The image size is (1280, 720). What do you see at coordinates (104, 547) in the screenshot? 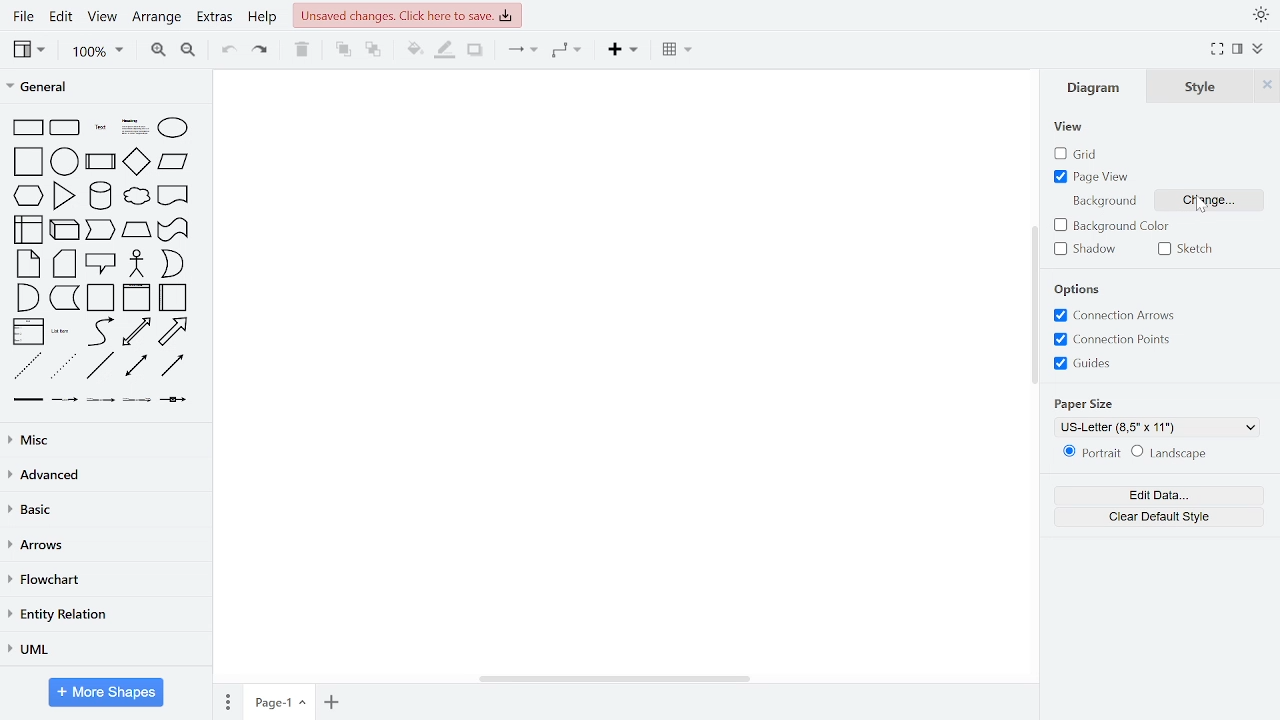
I see `arrows` at bounding box center [104, 547].